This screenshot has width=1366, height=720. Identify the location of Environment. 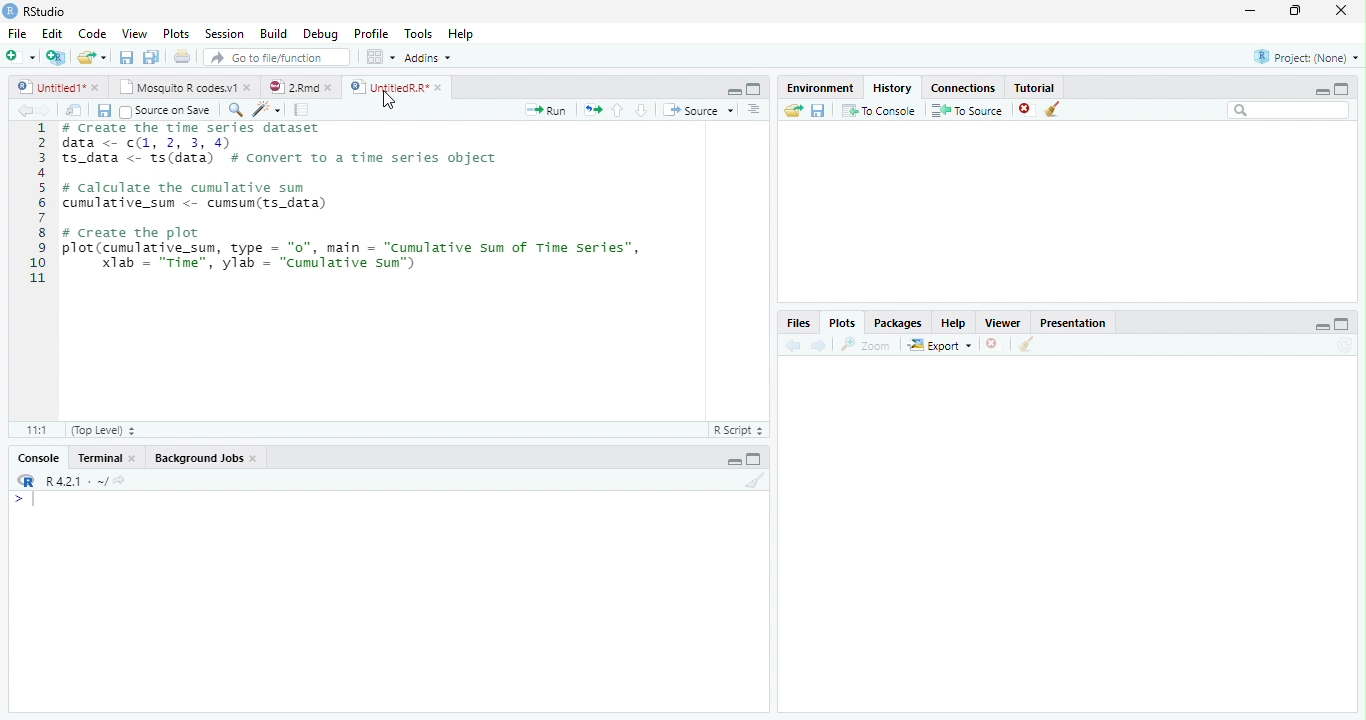
(820, 87).